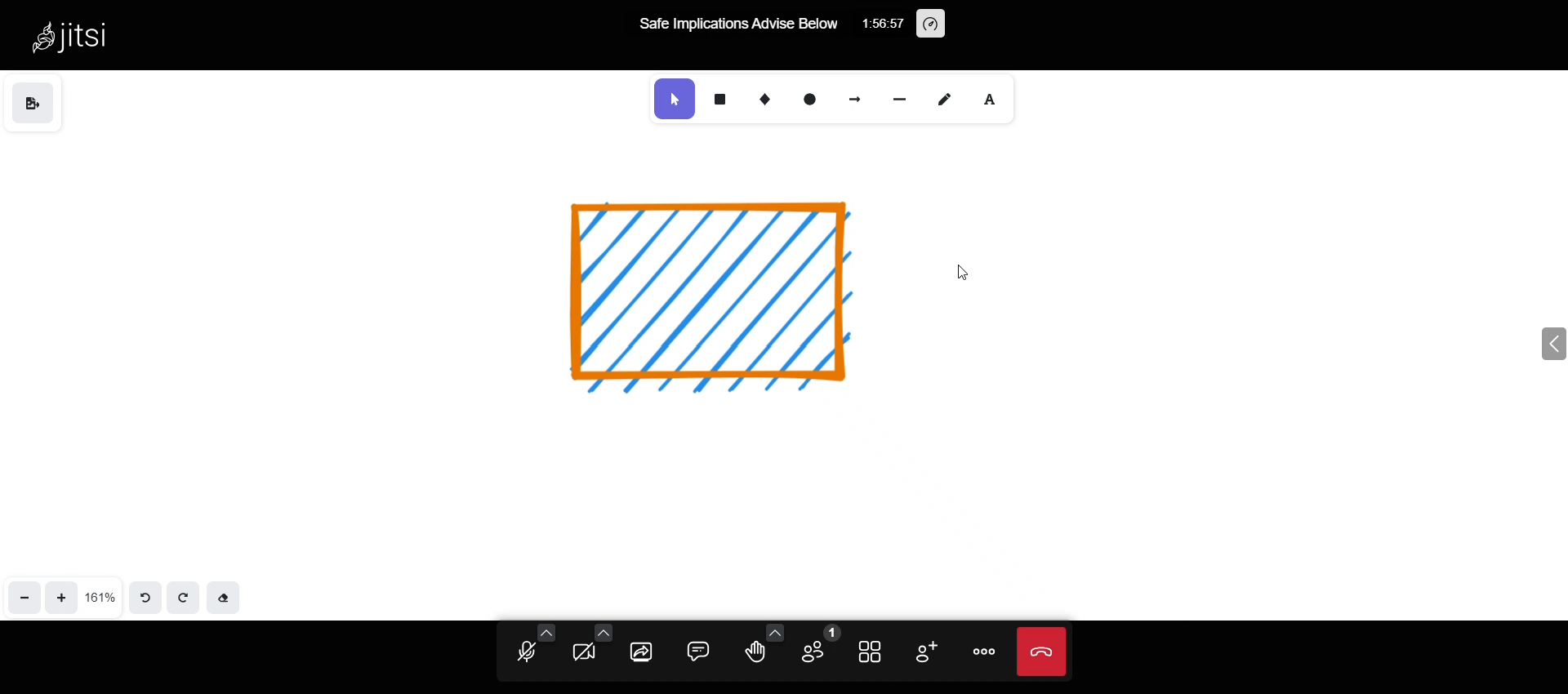  I want to click on unmute mic, so click(523, 653).